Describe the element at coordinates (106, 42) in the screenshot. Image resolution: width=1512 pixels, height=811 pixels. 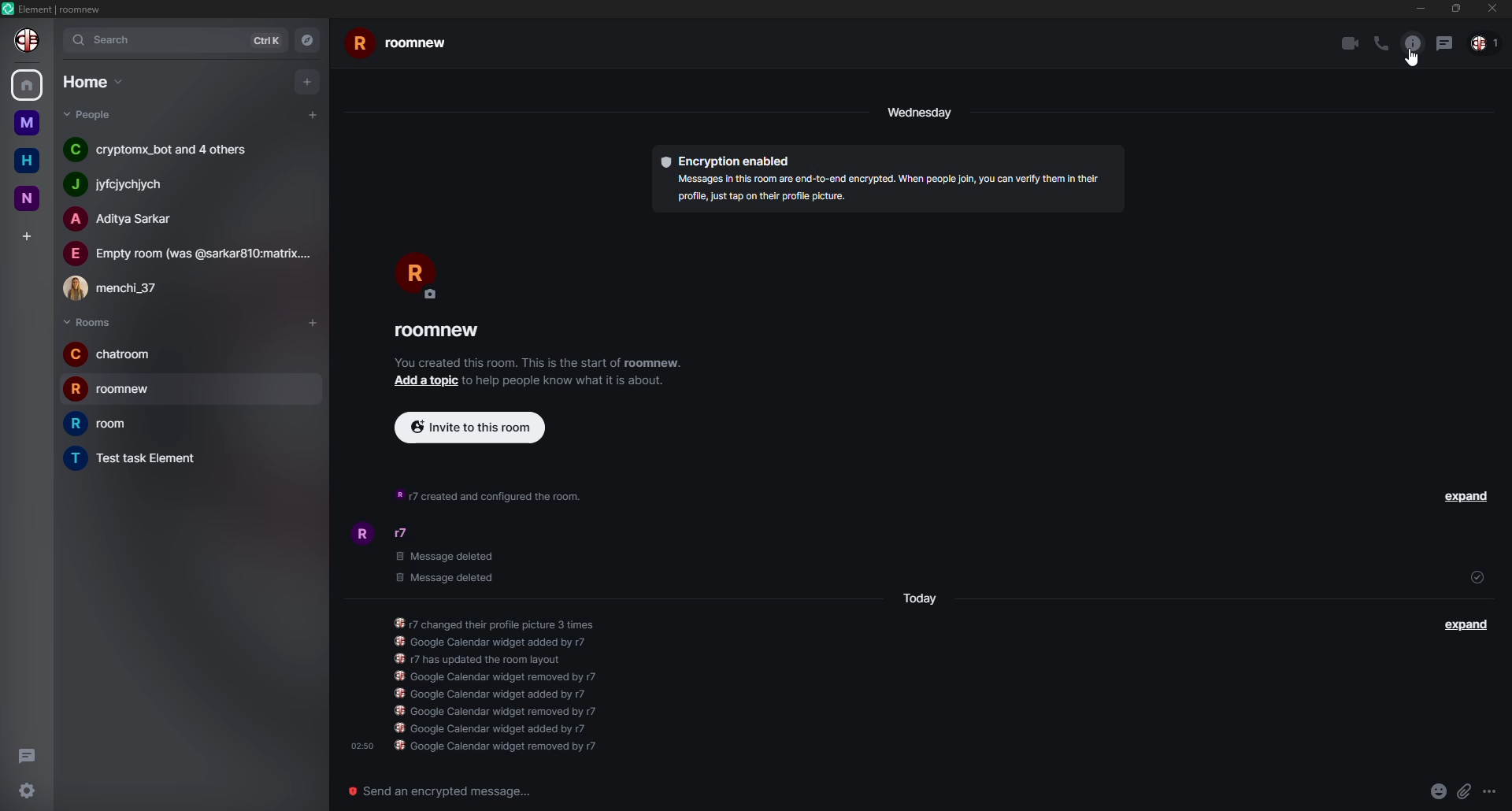
I see `search` at that location.